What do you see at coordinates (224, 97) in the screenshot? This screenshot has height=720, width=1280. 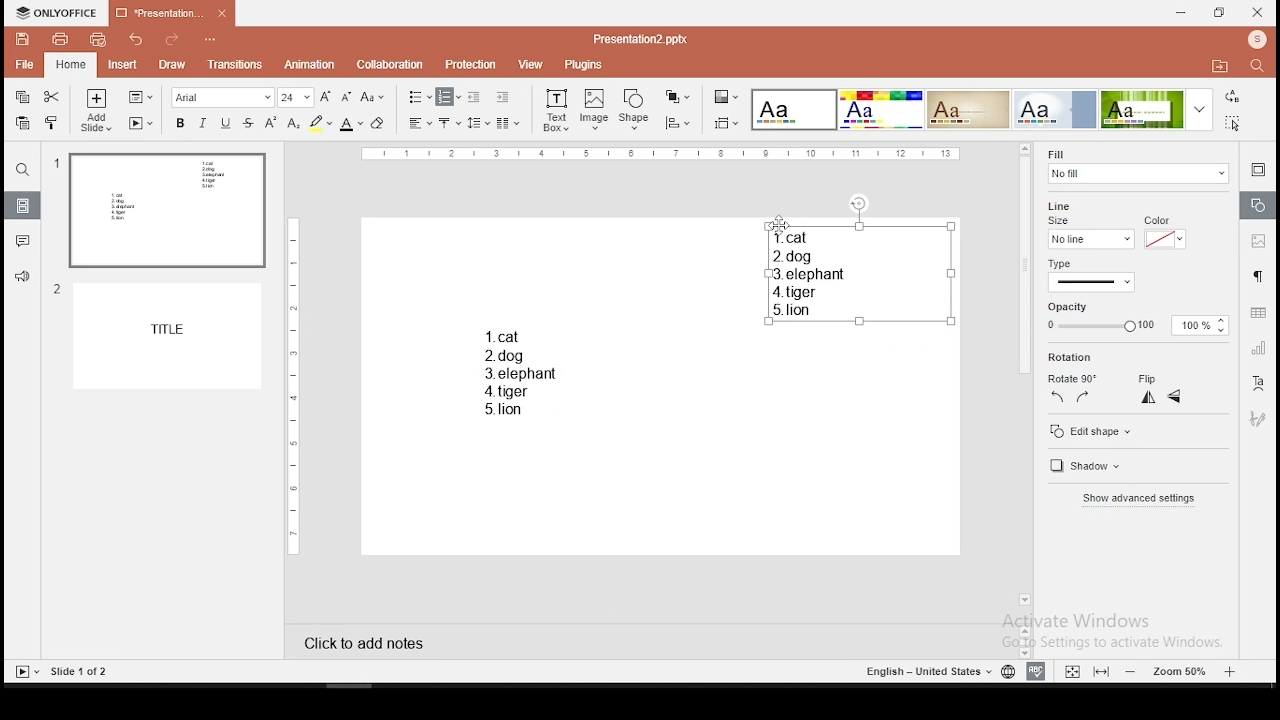 I see `font` at bounding box center [224, 97].